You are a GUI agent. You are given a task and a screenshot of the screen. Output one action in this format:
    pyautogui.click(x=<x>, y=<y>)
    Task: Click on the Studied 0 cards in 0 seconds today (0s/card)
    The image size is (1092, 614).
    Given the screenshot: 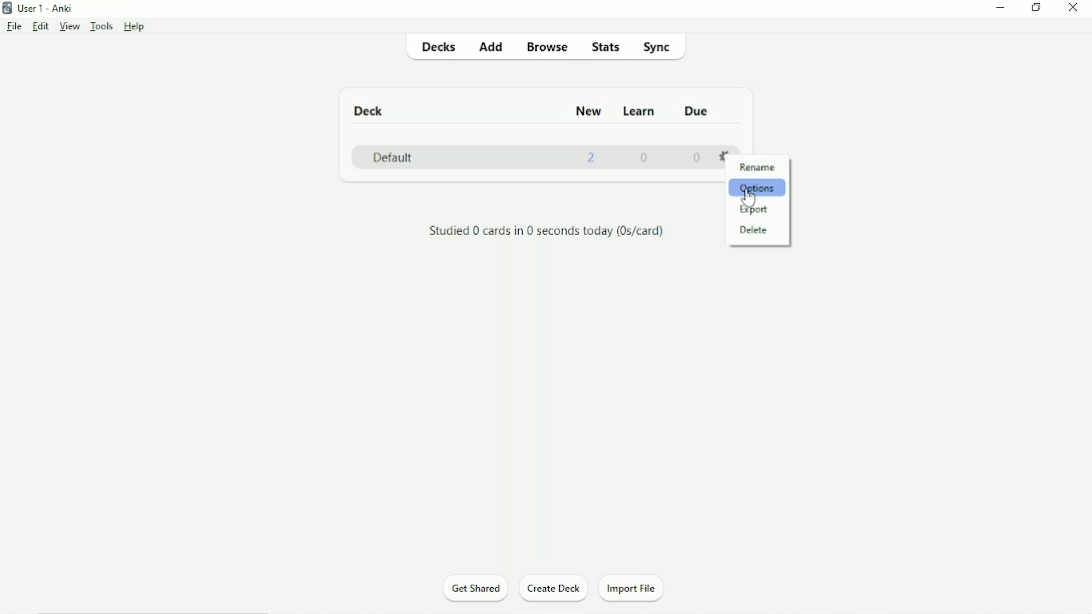 What is the action you would take?
    pyautogui.click(x=546, y=230)
    